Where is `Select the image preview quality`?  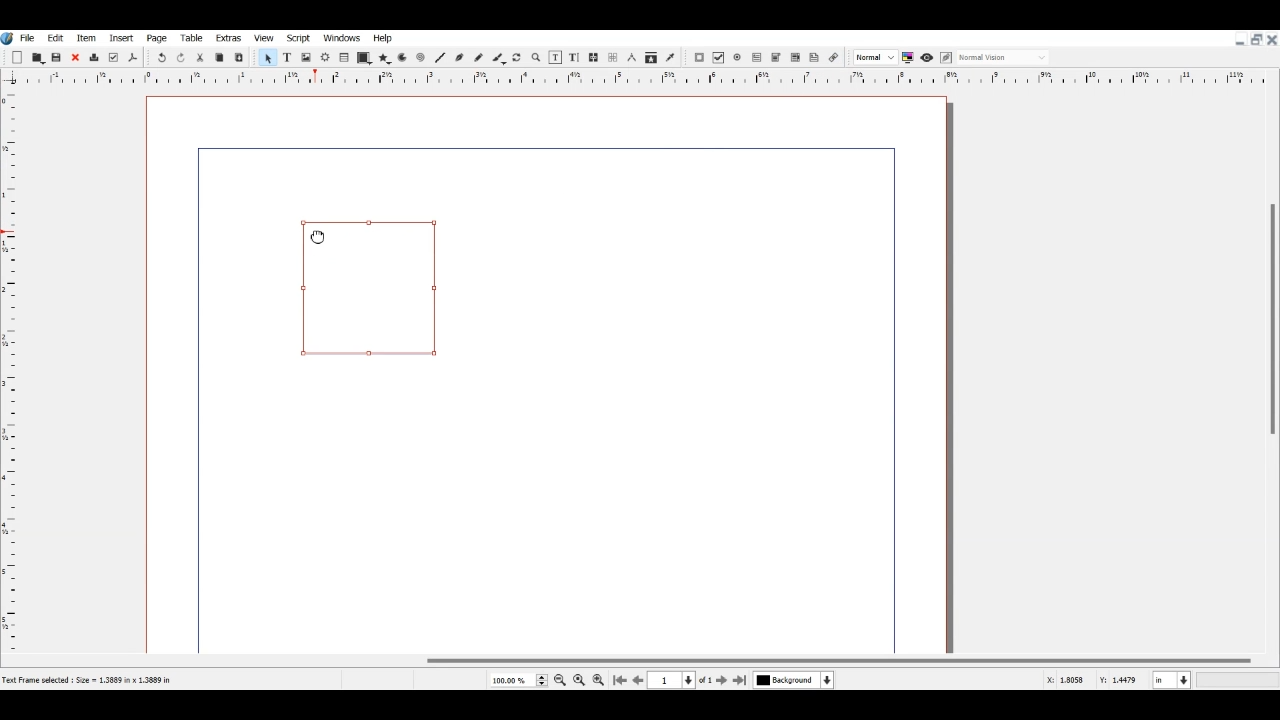 Select the image preview quality is located at coordinates (874, 57).